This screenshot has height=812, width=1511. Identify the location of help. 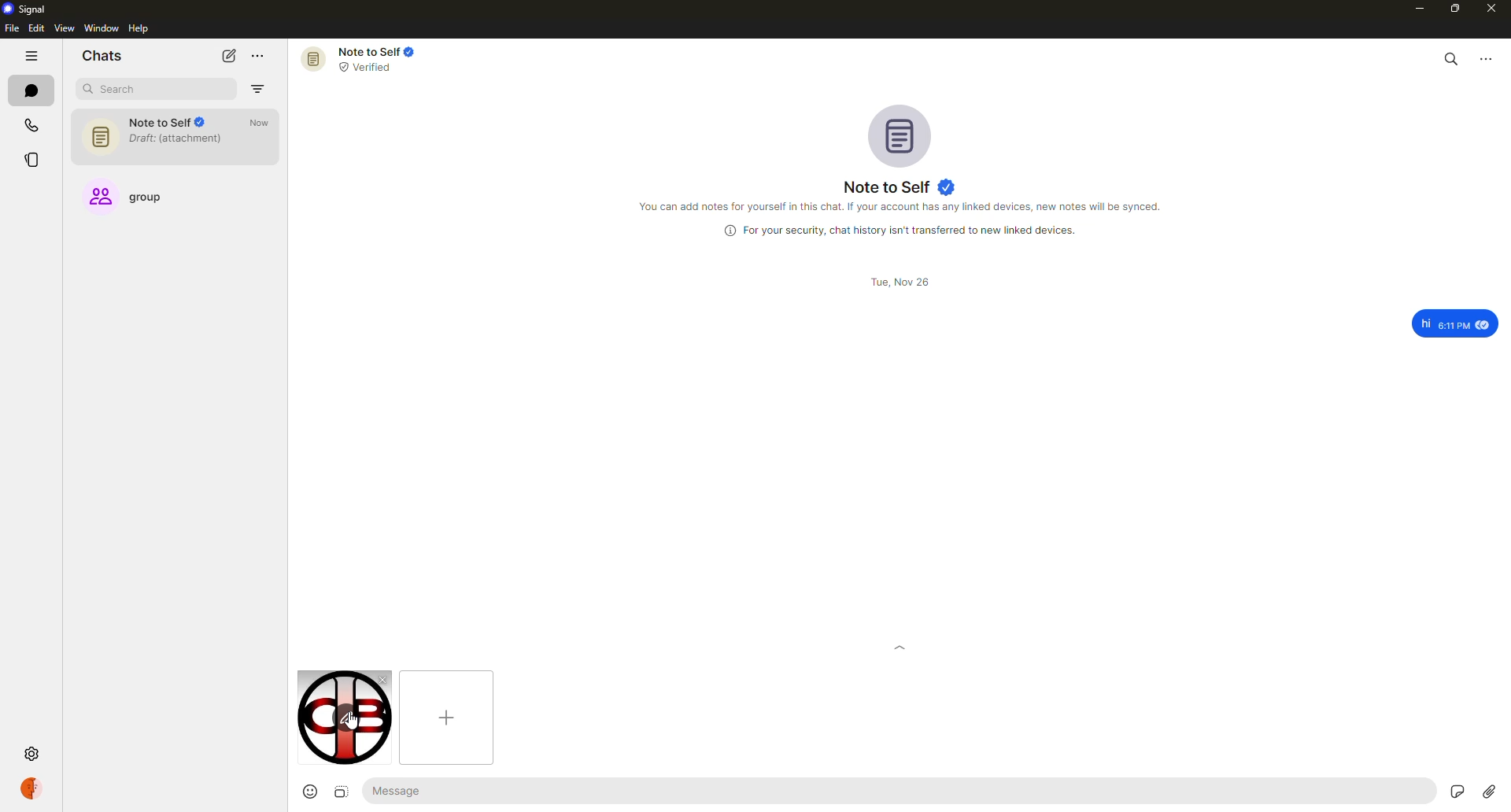
(138, 28).